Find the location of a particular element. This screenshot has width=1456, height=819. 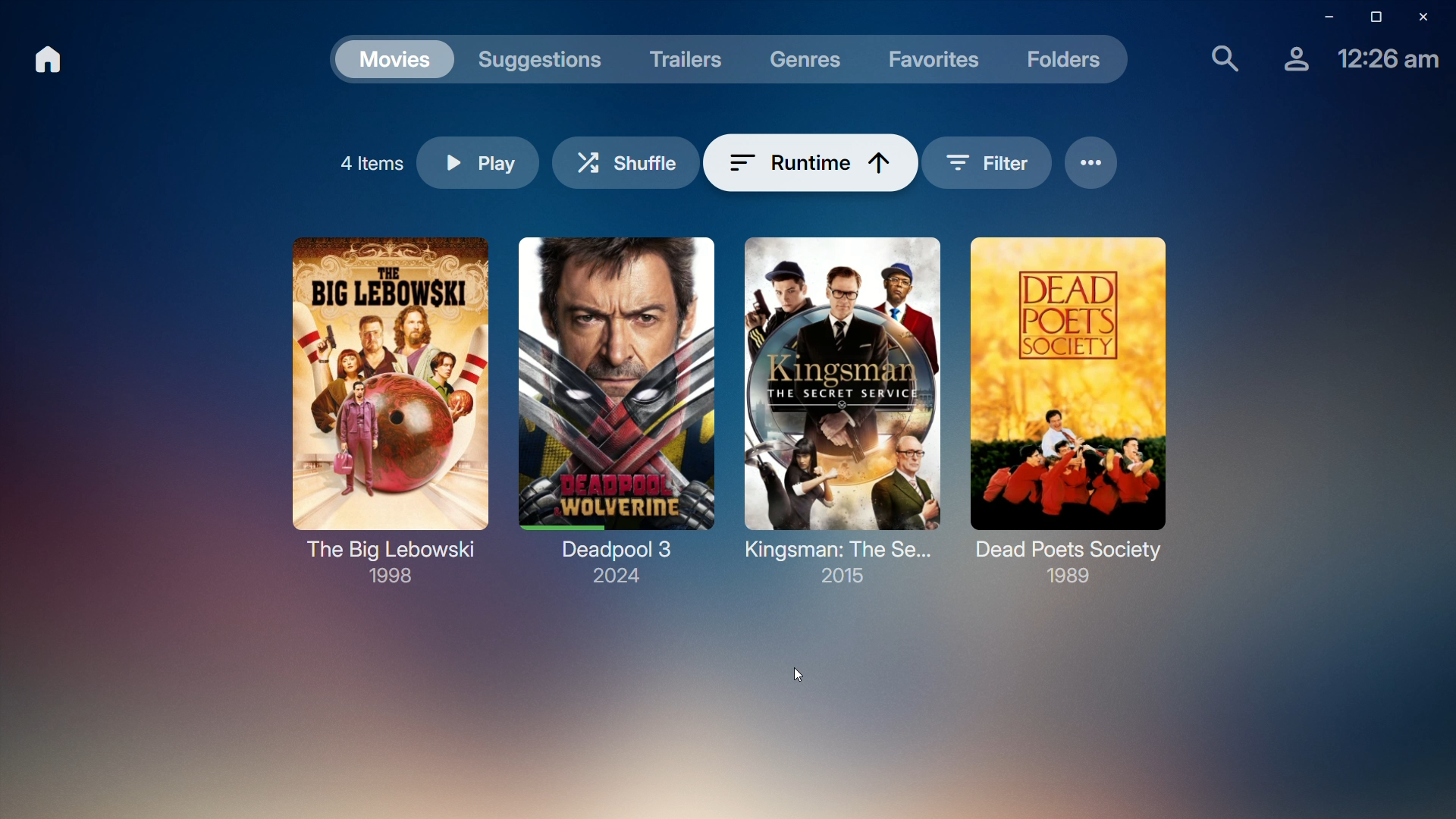

Genres is located at coordinates (806, 58).